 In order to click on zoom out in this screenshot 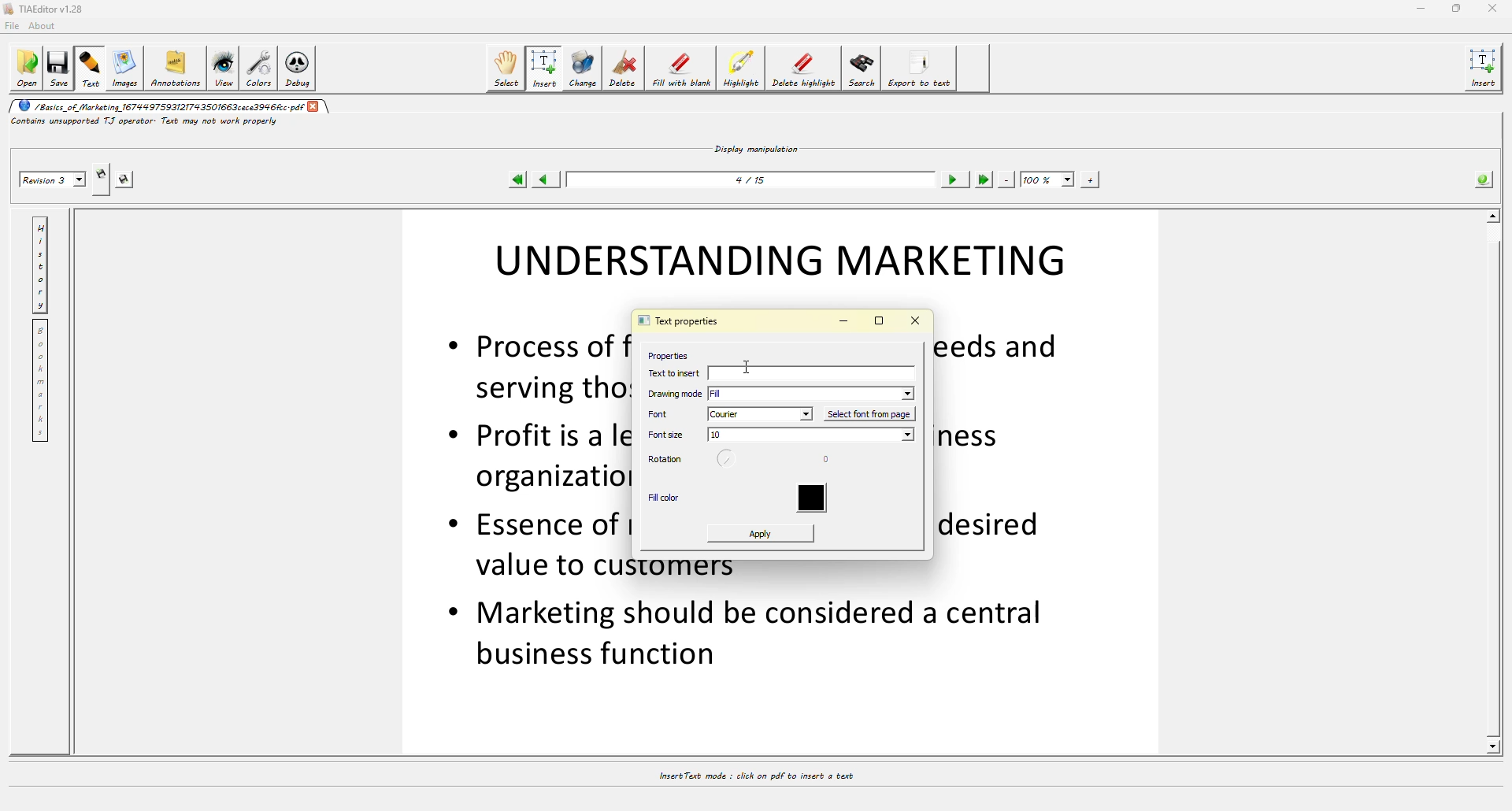, I will do `click(1007, 179)`.